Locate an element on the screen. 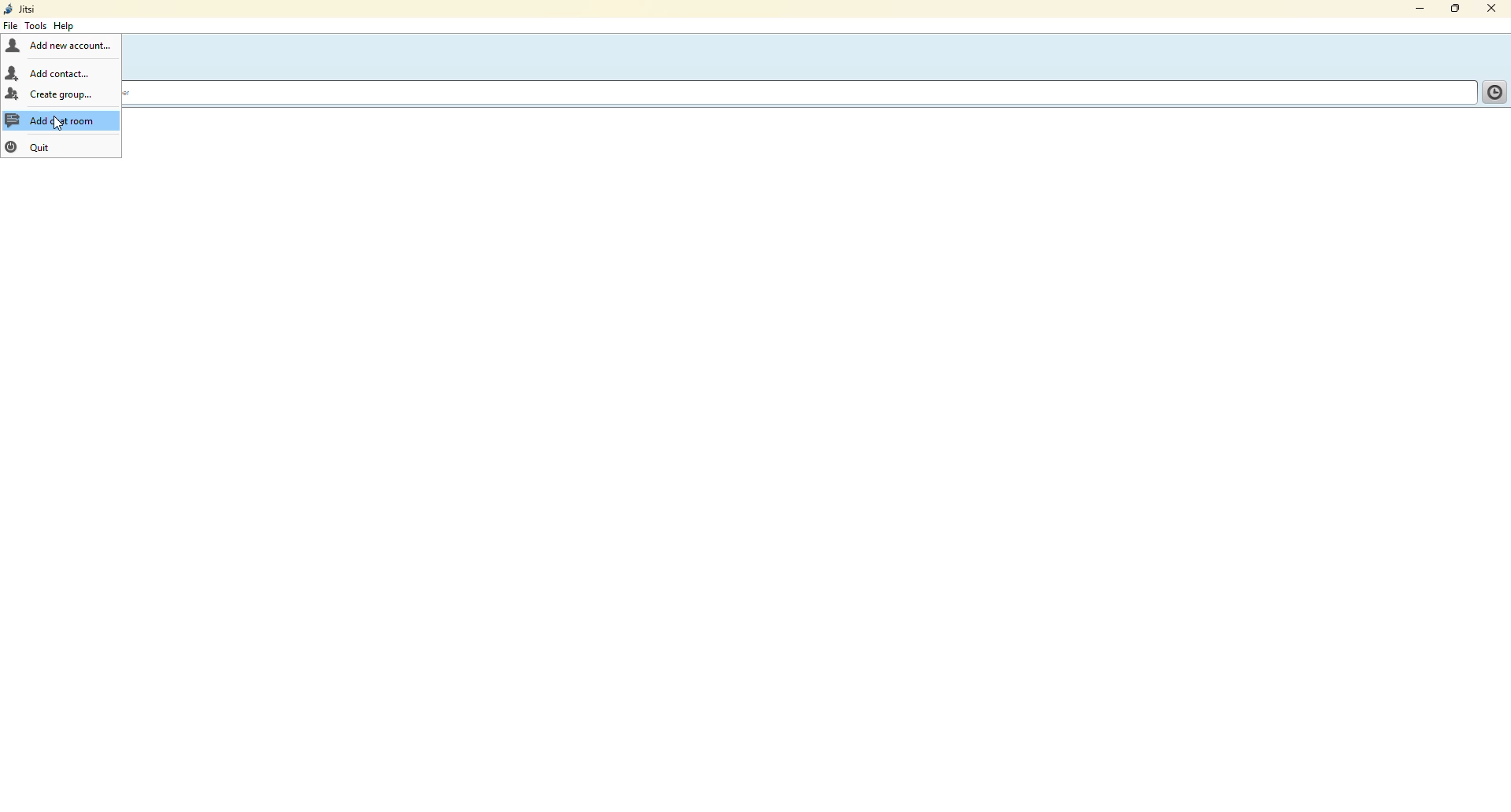 Image resolution: width=1511 pixels, height=812 pixels. tools is located at coordinates (36, 25).